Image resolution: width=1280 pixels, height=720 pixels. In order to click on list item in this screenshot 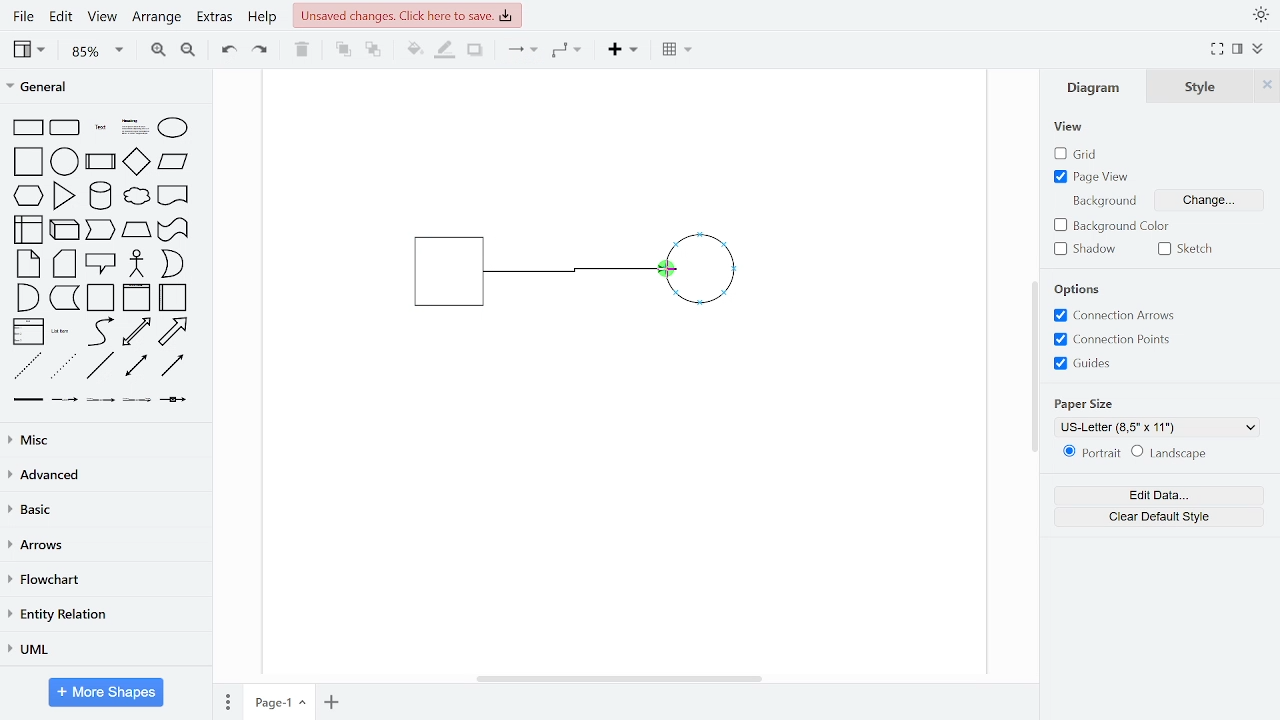, I will do `click(61, 331)`.